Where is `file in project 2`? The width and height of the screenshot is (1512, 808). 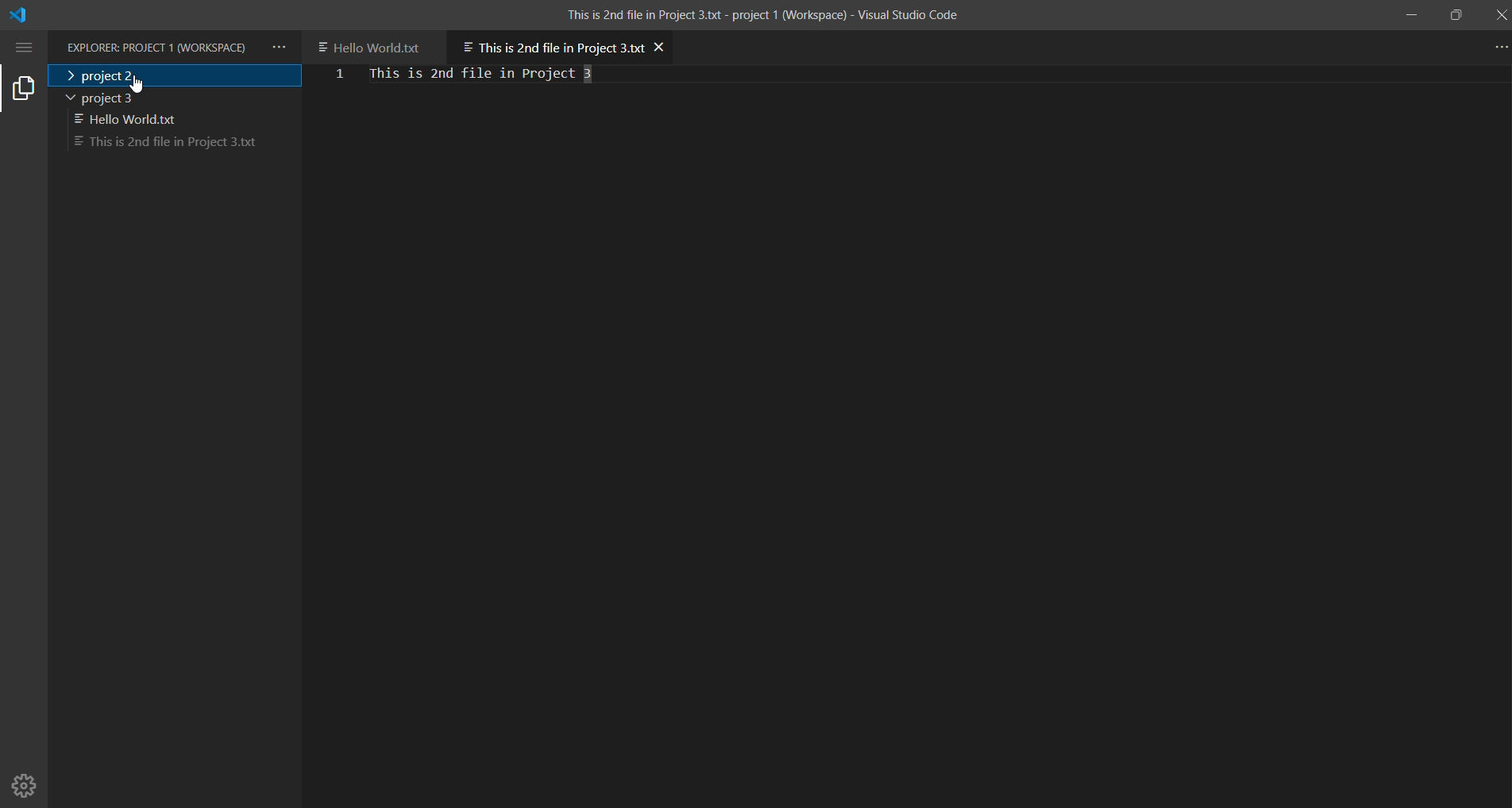
file in project 2 is located at coordinates (176, 98).